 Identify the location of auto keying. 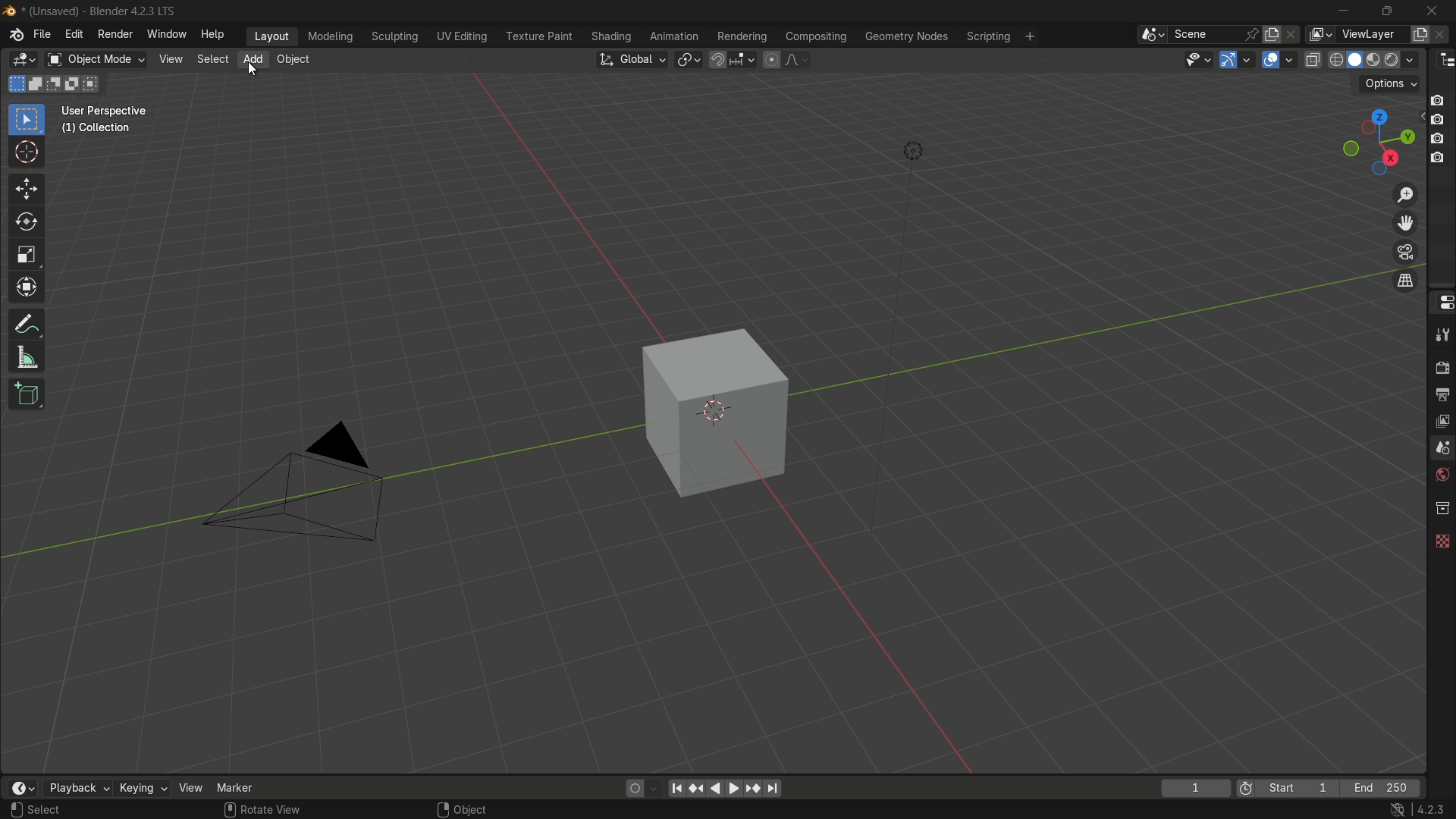
(645, 787).